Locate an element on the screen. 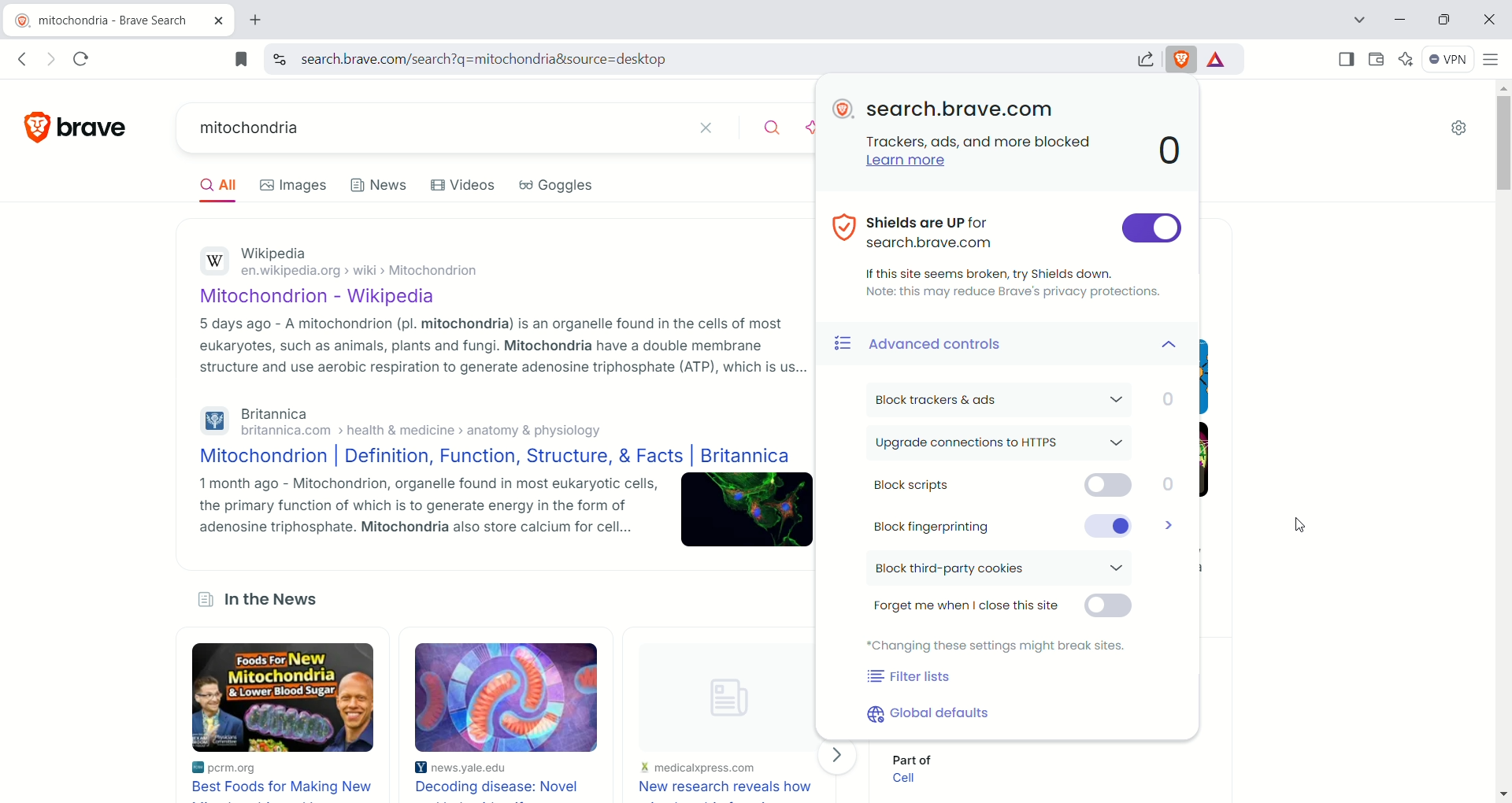 The height and width of the screenshot is (803, 1512). setting is located at coordinates (1456, 131).